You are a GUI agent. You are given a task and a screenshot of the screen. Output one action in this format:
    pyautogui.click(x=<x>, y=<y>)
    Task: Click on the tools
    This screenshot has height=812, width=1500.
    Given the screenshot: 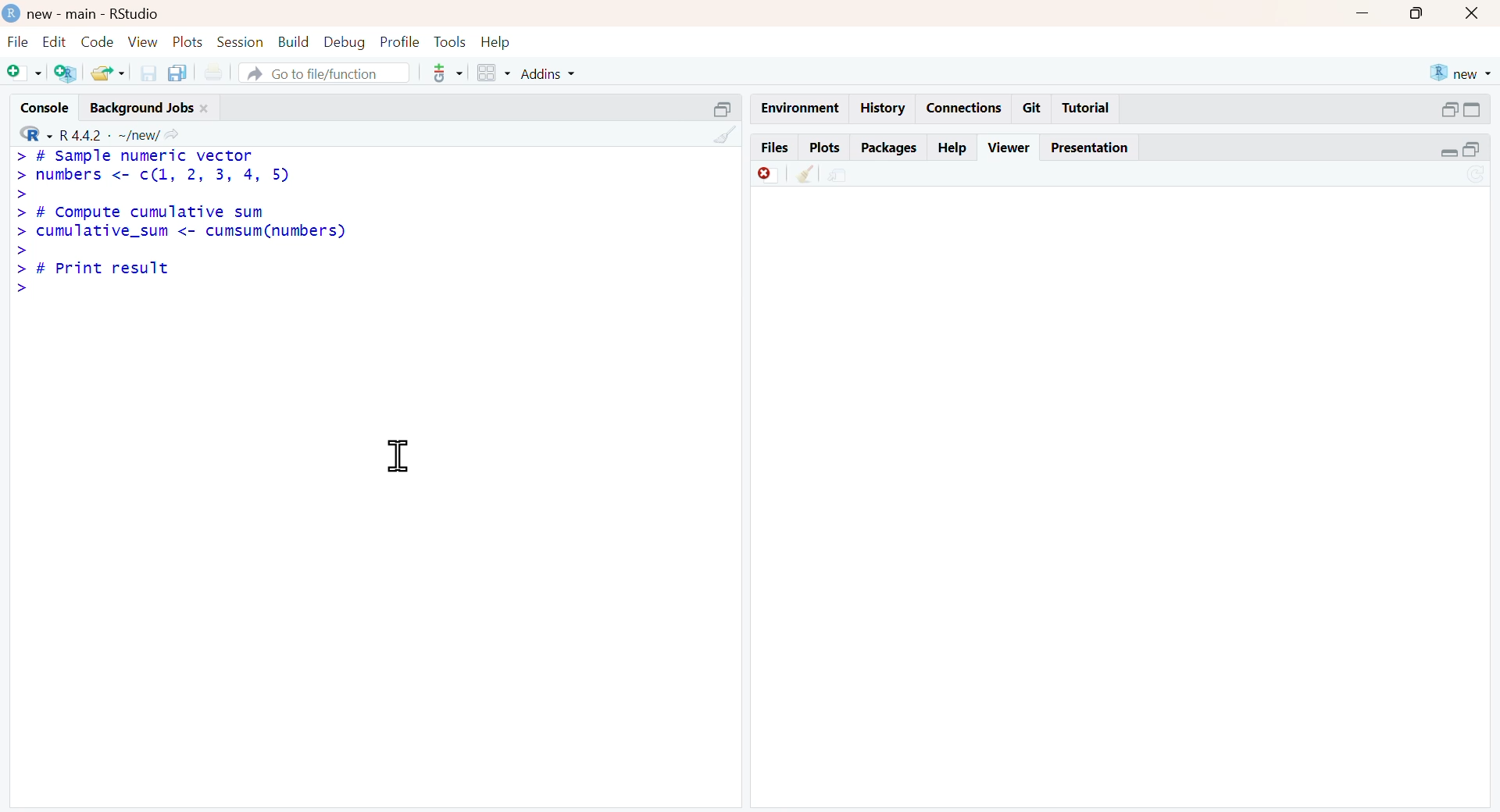 What is the action you would take?
    pyautogui.click(x=450, y=41)
    